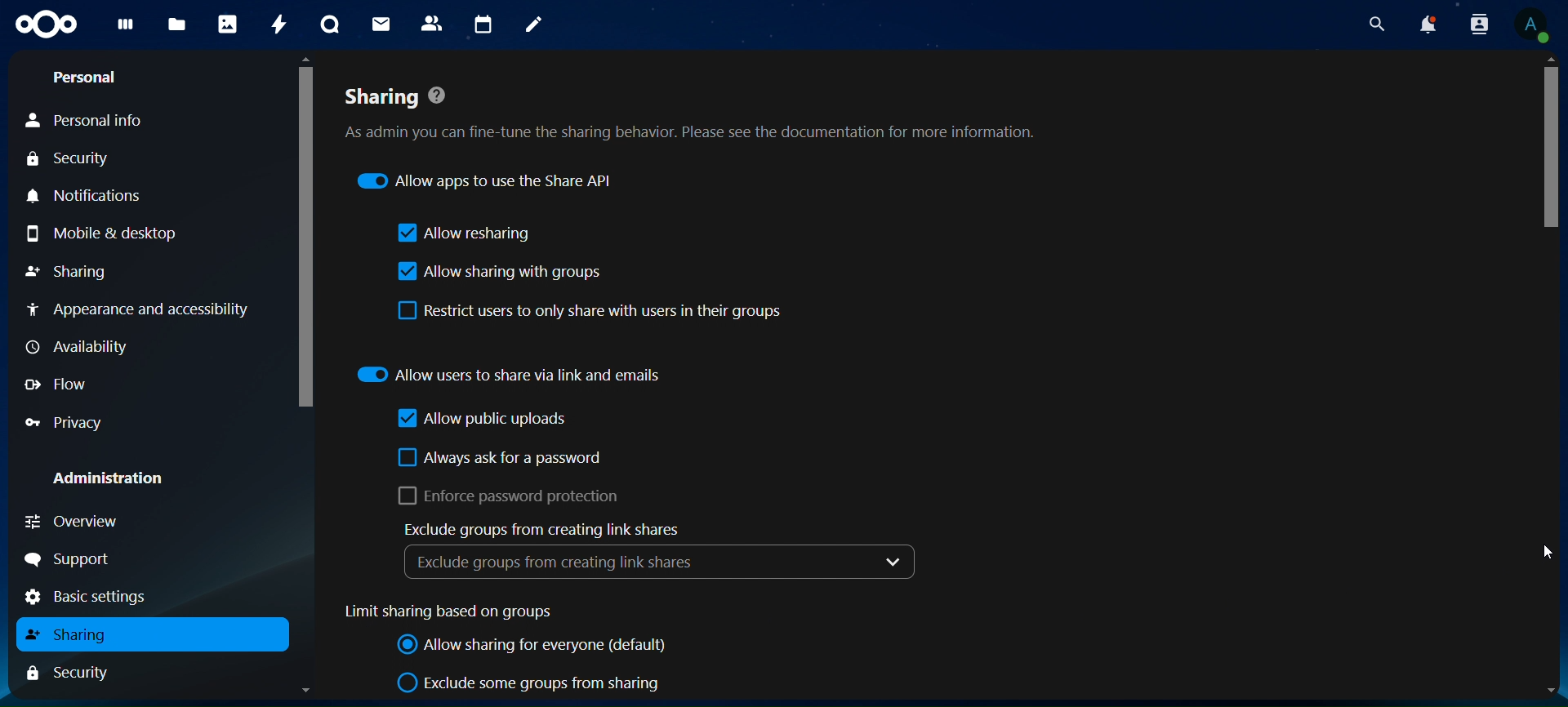  I want to click on dashboard, so click(123, 31).